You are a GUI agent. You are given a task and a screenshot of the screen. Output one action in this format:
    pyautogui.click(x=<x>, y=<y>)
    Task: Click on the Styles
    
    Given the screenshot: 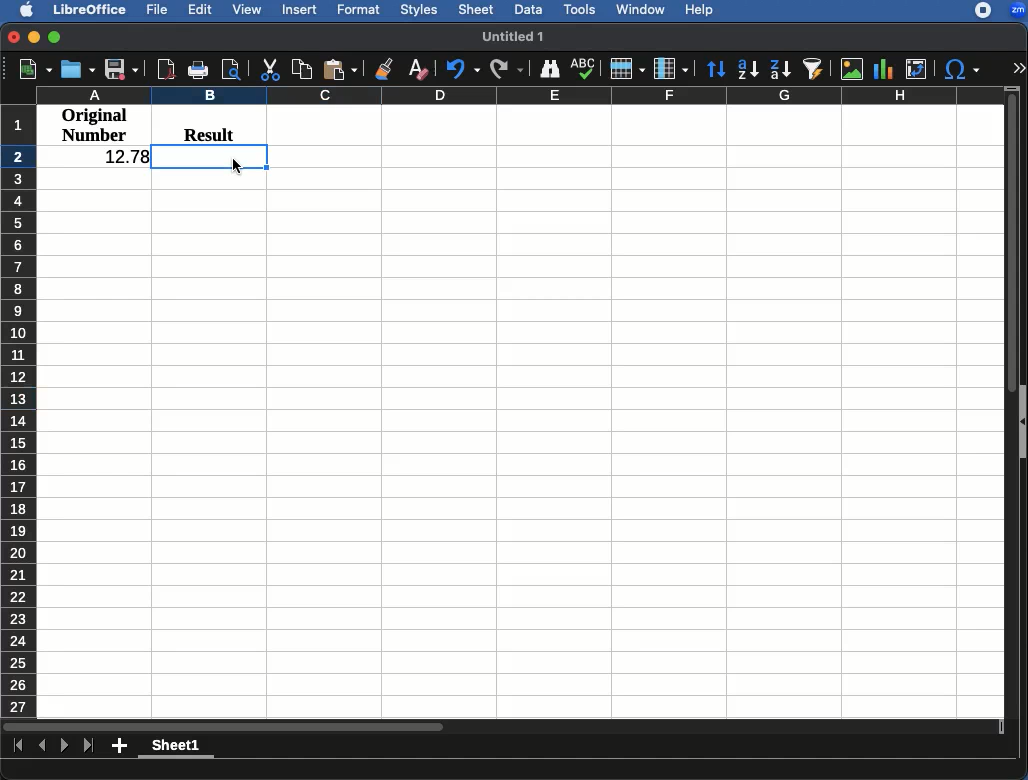 What is the action you would take?
    pyautogui.click(x=421, y=9)
    